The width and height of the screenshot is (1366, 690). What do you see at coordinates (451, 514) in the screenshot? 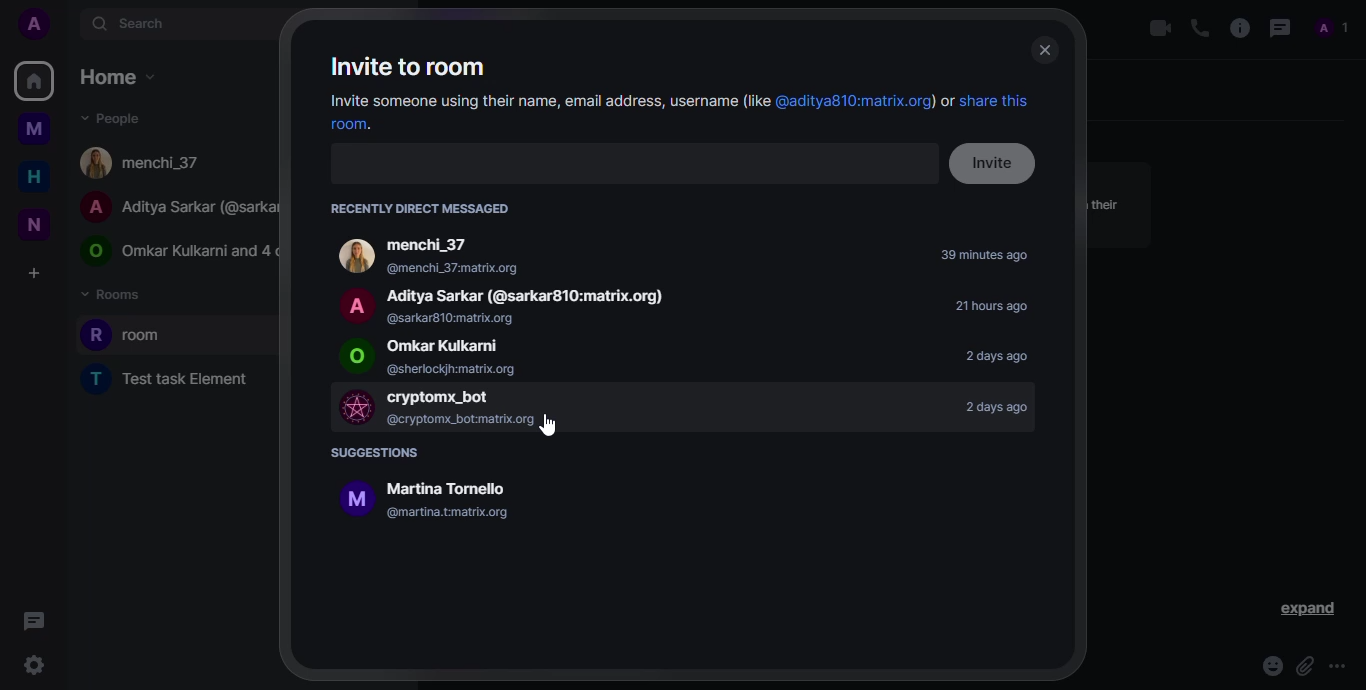
I see `@martina.t:matrix.org` at bounding box center [451, 514].